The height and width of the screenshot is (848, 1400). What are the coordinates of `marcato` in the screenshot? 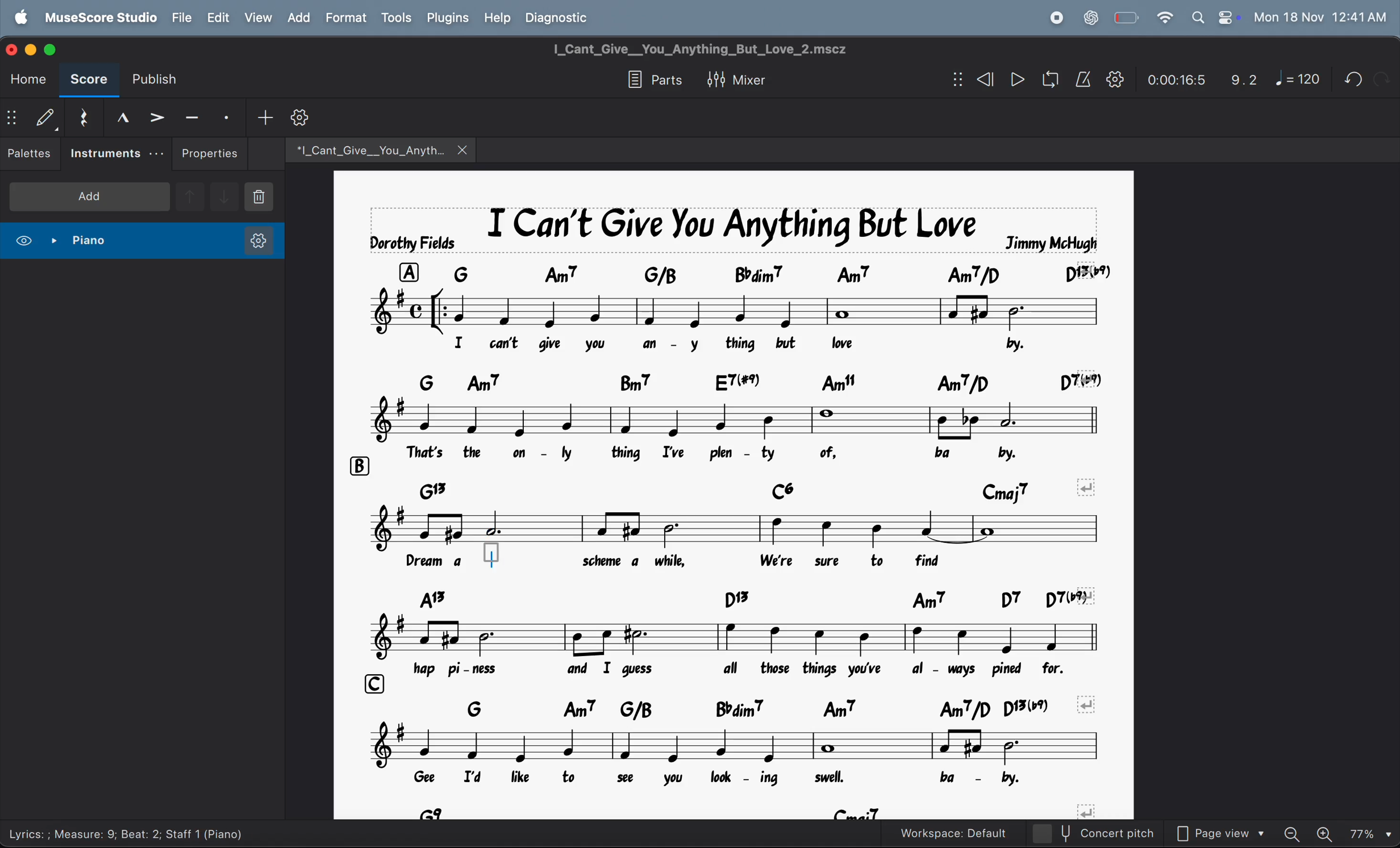 It's located at (118, 116).